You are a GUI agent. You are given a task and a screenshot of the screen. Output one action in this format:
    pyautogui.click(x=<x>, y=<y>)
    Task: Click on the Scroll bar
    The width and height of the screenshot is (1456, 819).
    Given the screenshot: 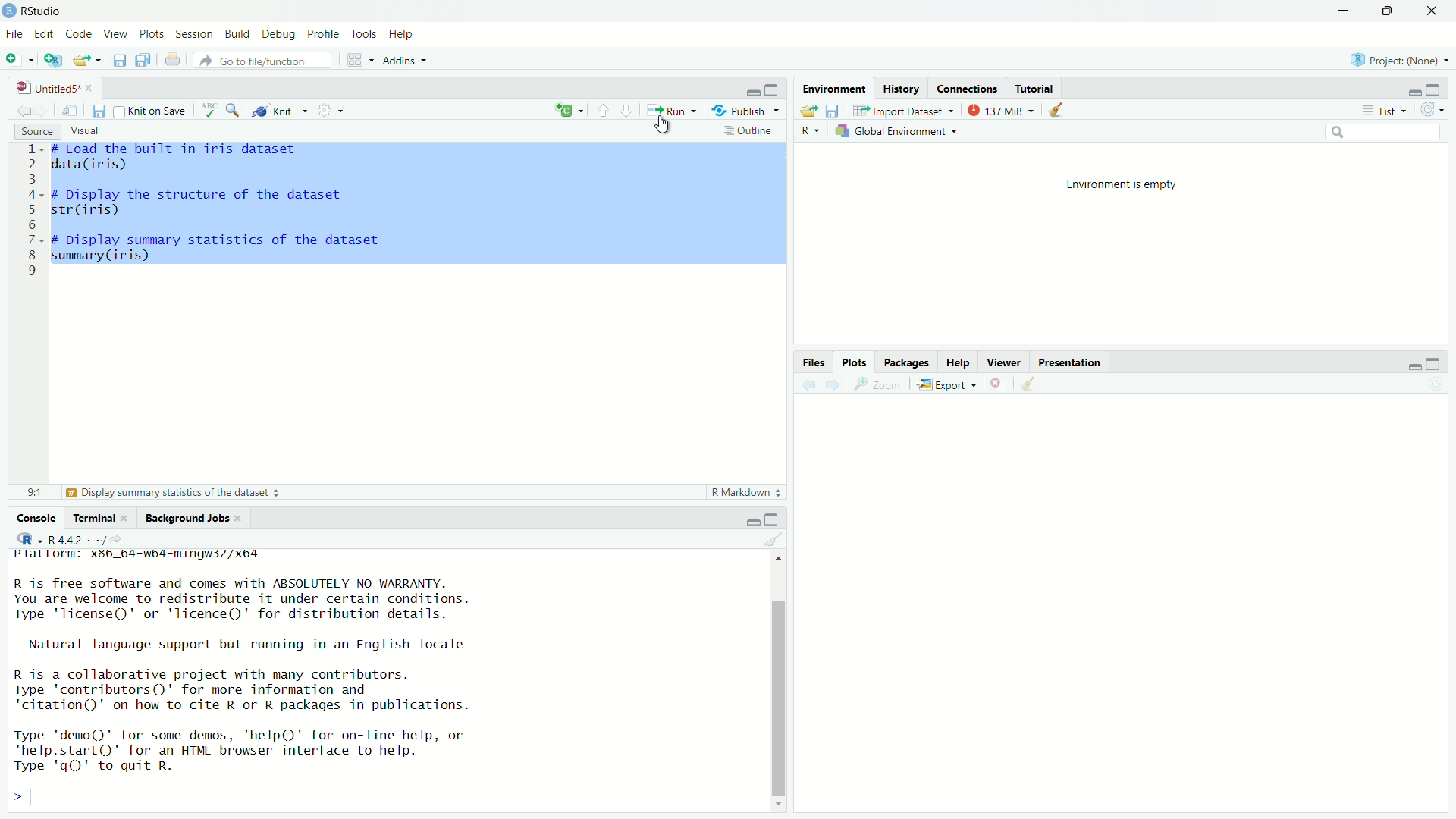 What is the action you would take?
    pyautogui.click(x=781, y=685)
    